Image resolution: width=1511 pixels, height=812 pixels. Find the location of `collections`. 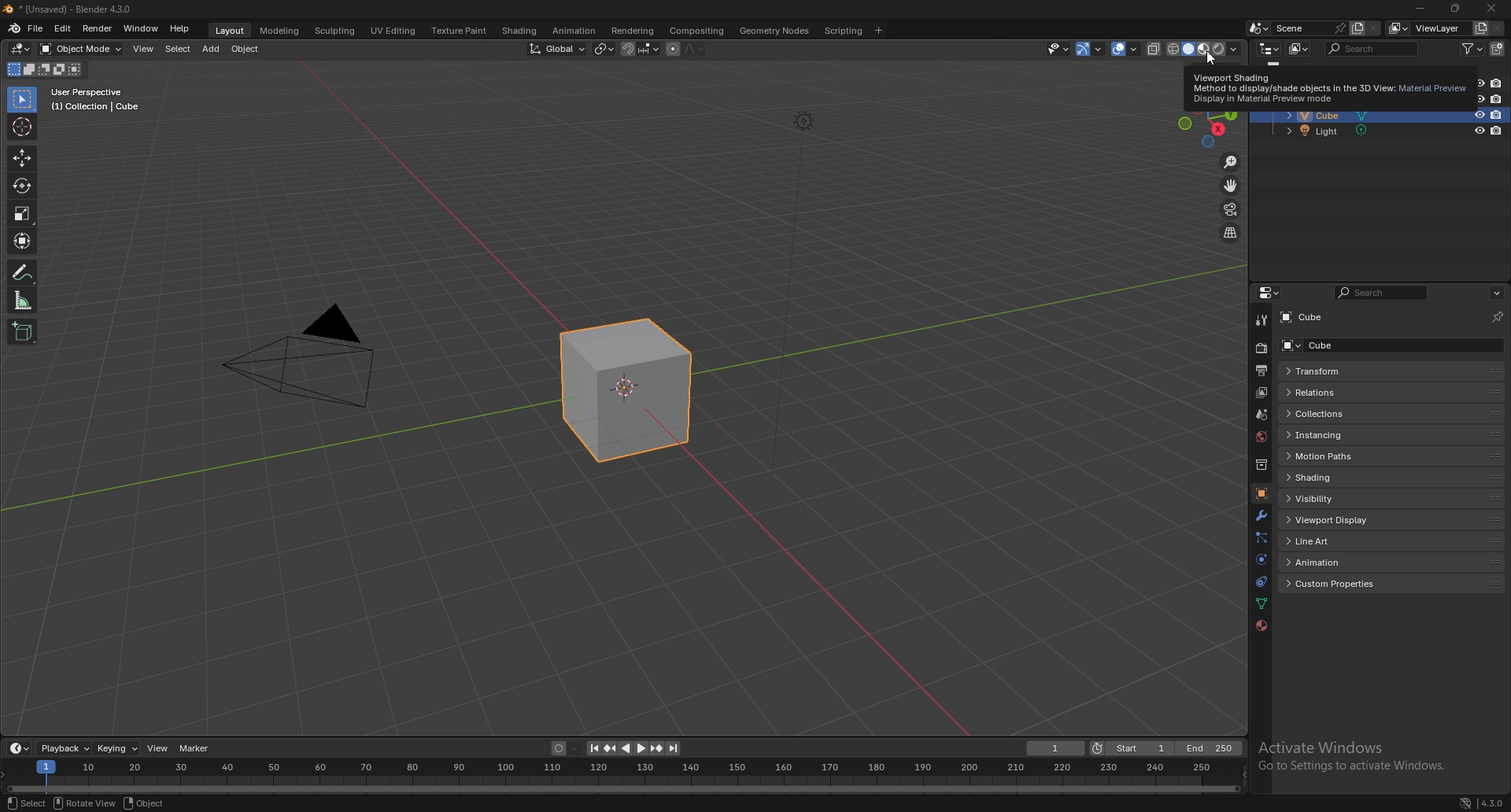

collections is located at coordinates (1364, 415).